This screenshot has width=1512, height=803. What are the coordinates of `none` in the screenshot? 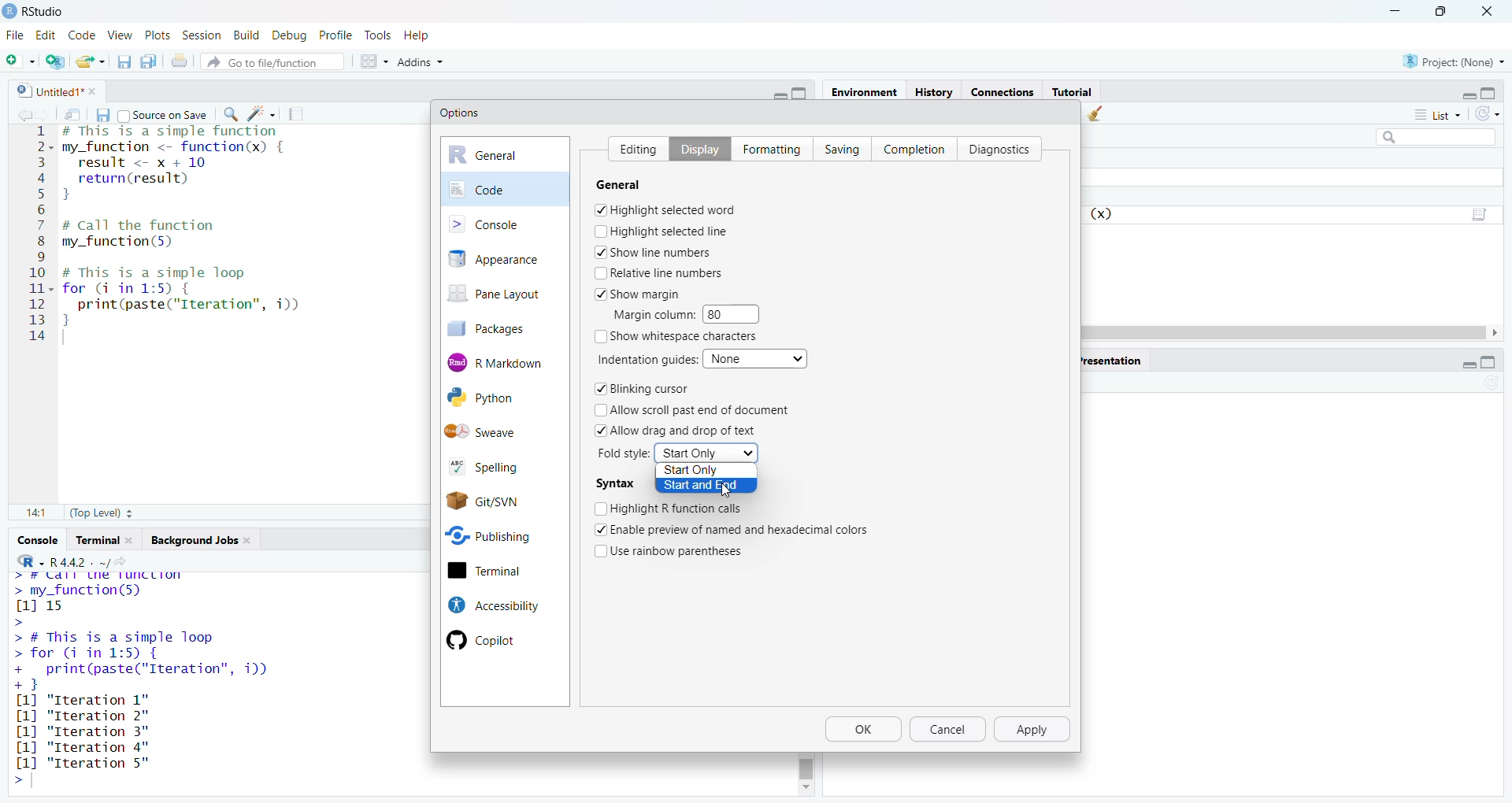 It's located at (758, 357).